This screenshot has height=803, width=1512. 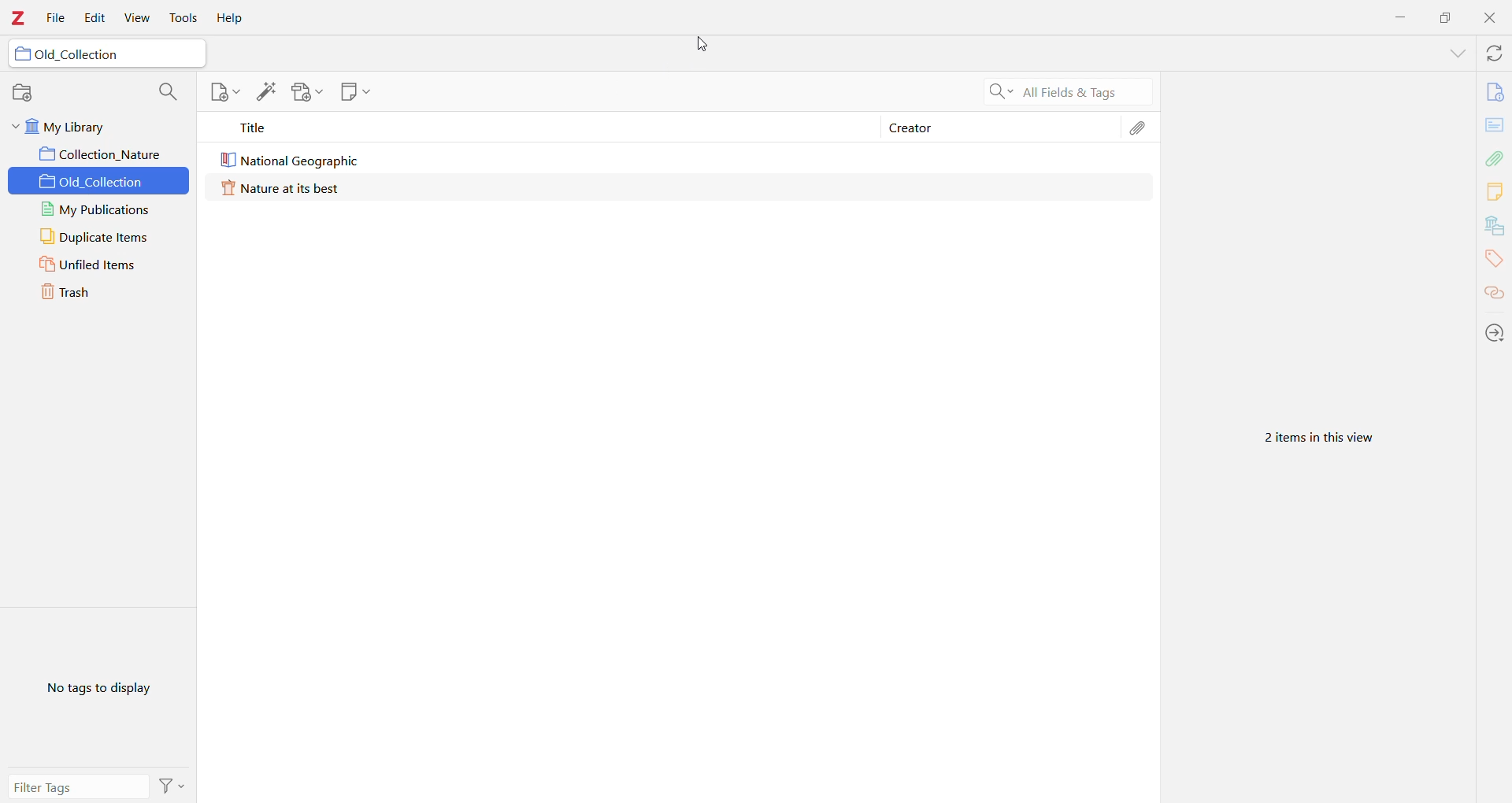 I want to click on Tags, so click(x=1493, y=261).